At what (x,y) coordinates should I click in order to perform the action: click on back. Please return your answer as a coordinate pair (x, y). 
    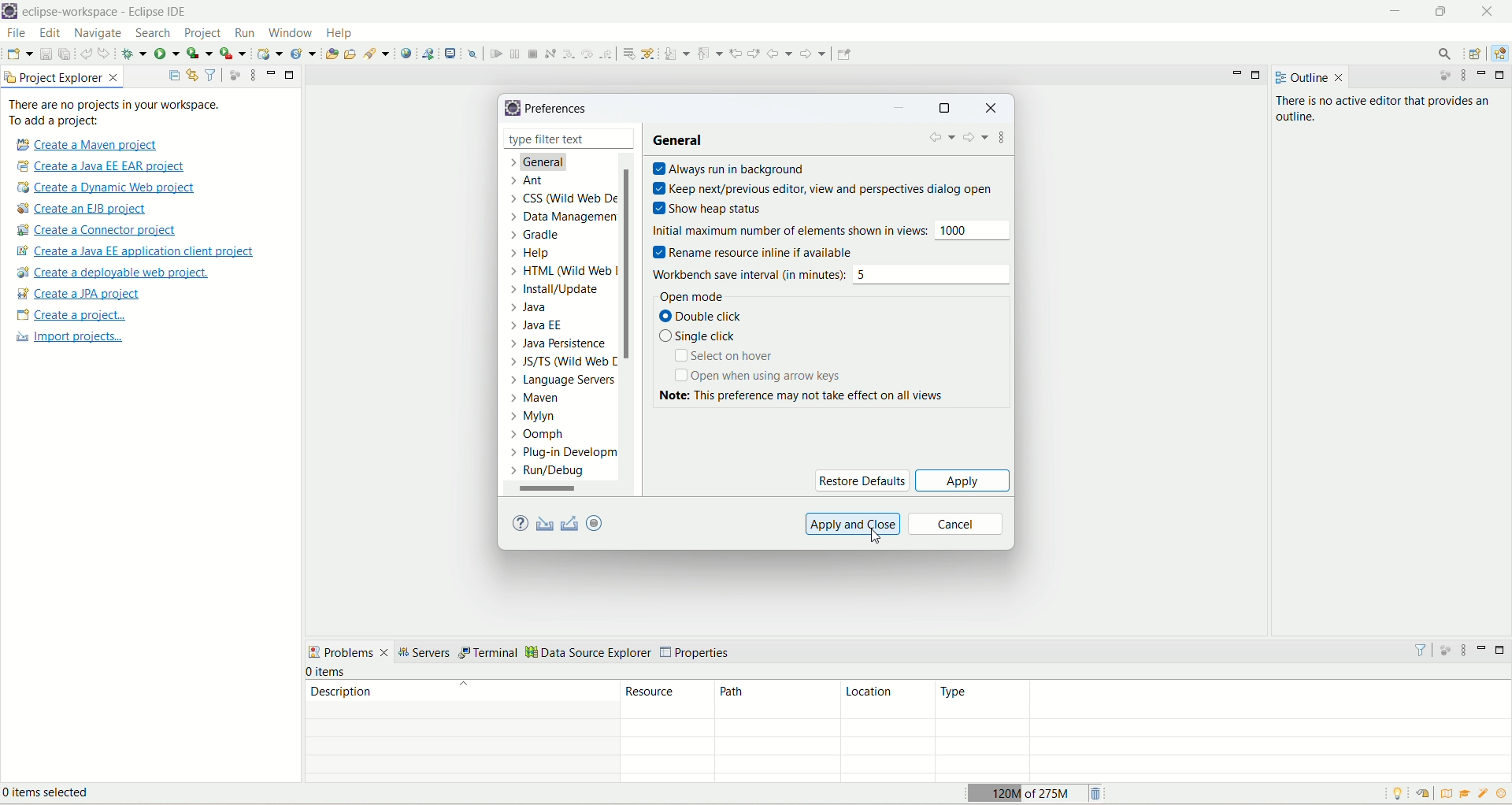
    Looking at the image, I should click on (941, 140).